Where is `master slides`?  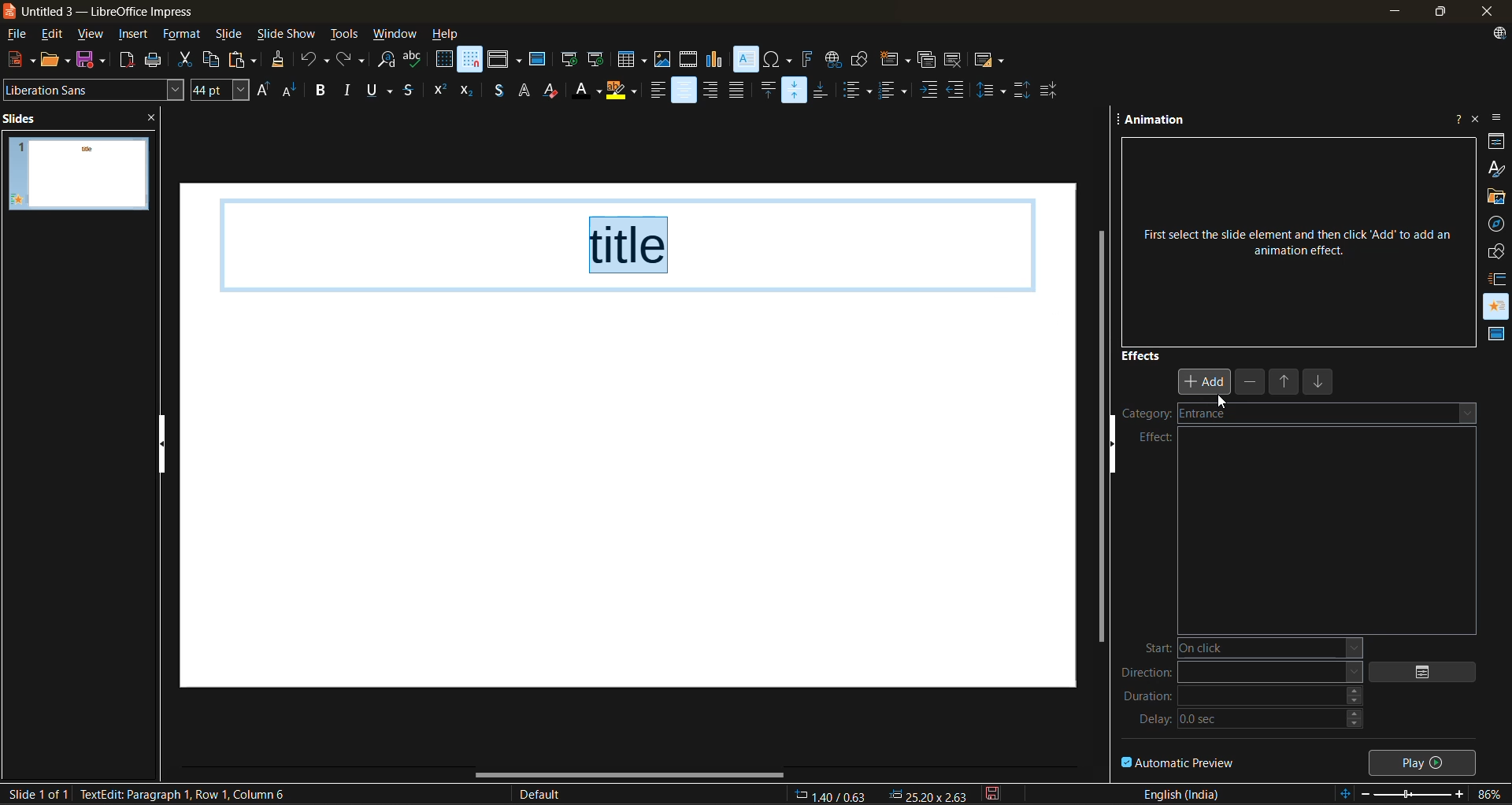
master slides is located at coordinates (1493, 335).